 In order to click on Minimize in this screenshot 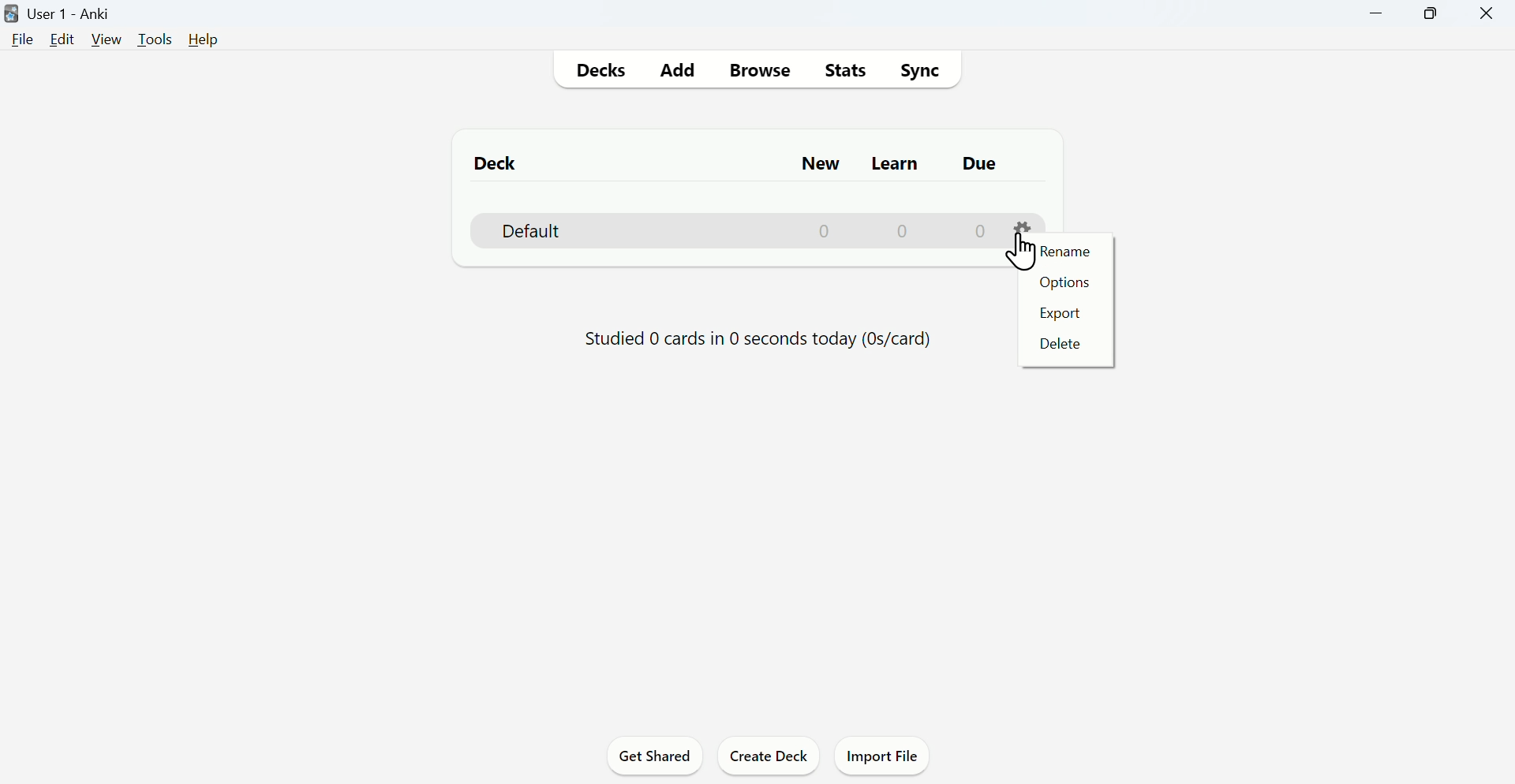, I will do `click(1377, 14)`.